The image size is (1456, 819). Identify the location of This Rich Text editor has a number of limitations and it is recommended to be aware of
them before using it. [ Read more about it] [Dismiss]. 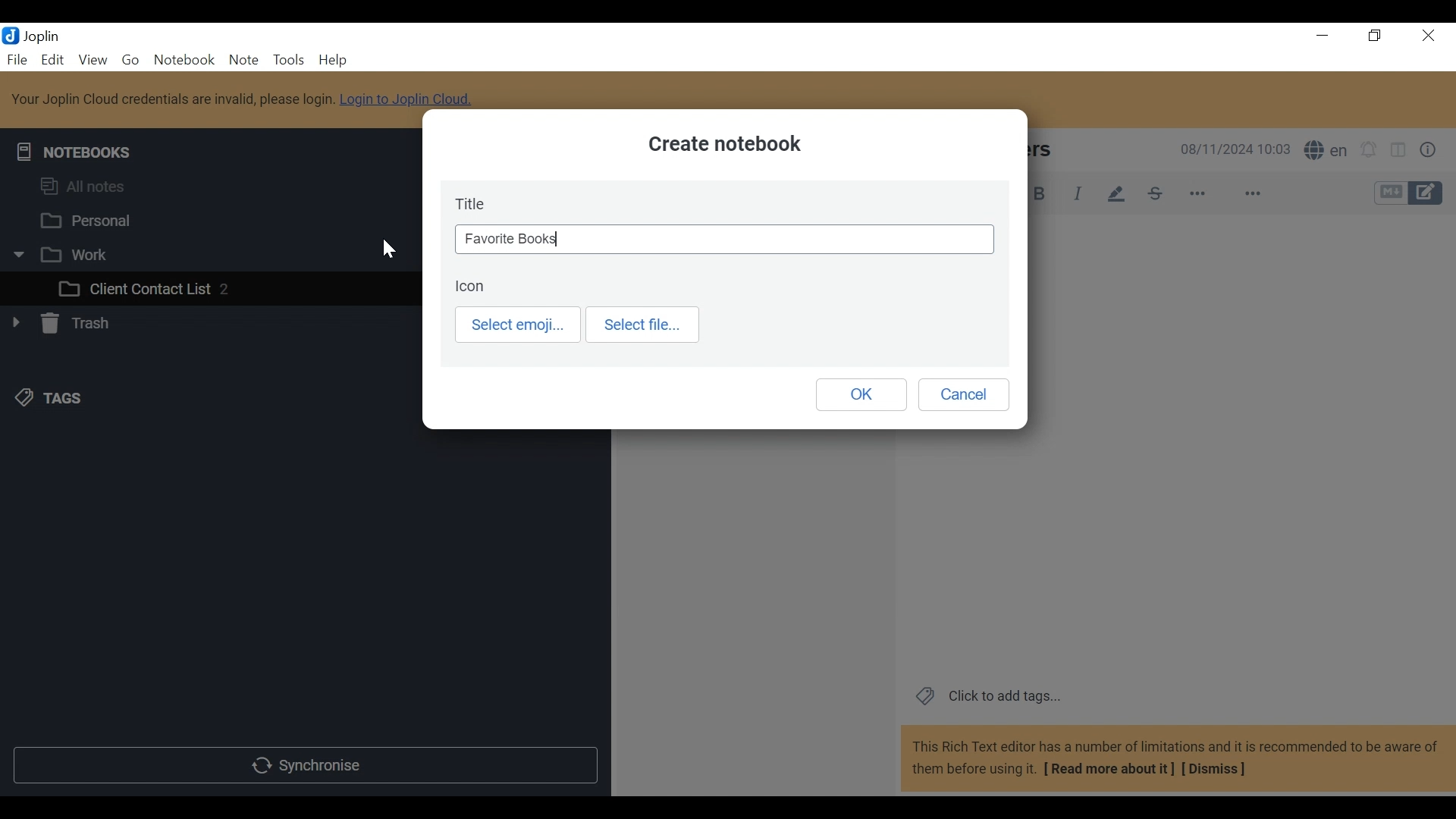
(1175, 759).